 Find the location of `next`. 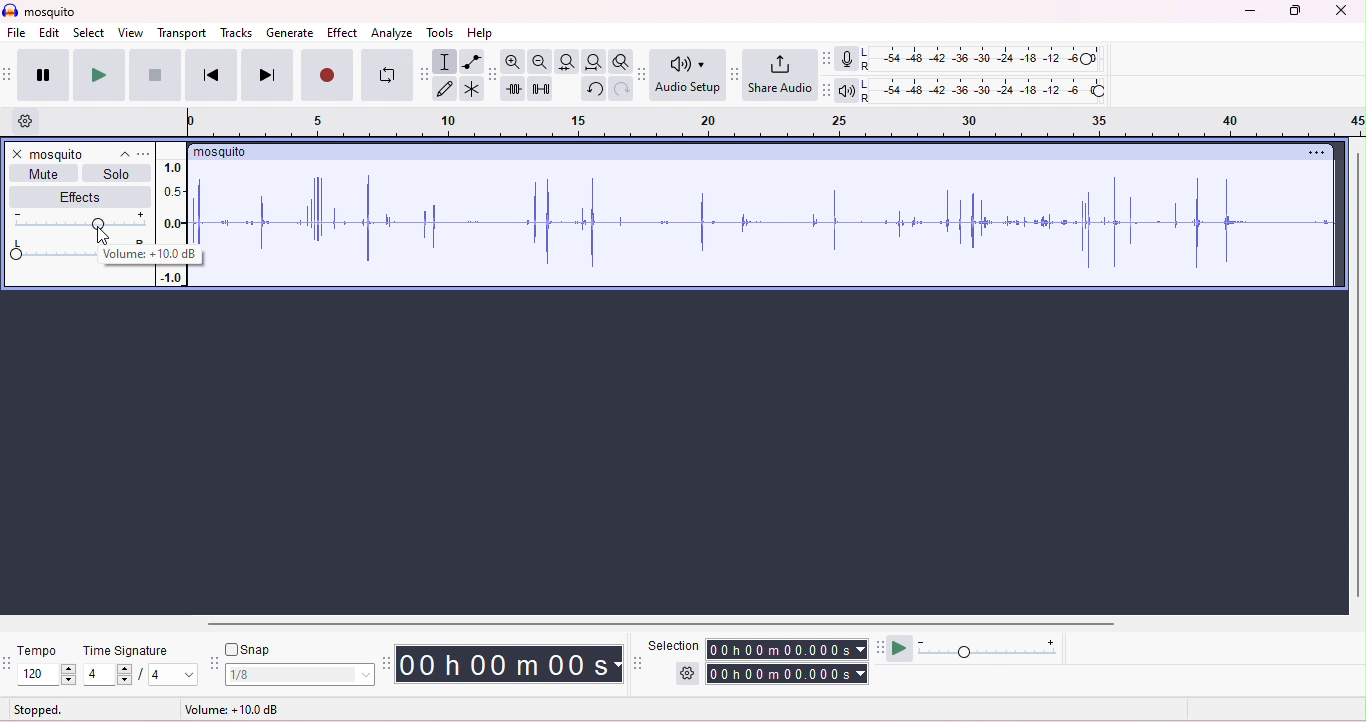

next is located at coordinates (267, 75).